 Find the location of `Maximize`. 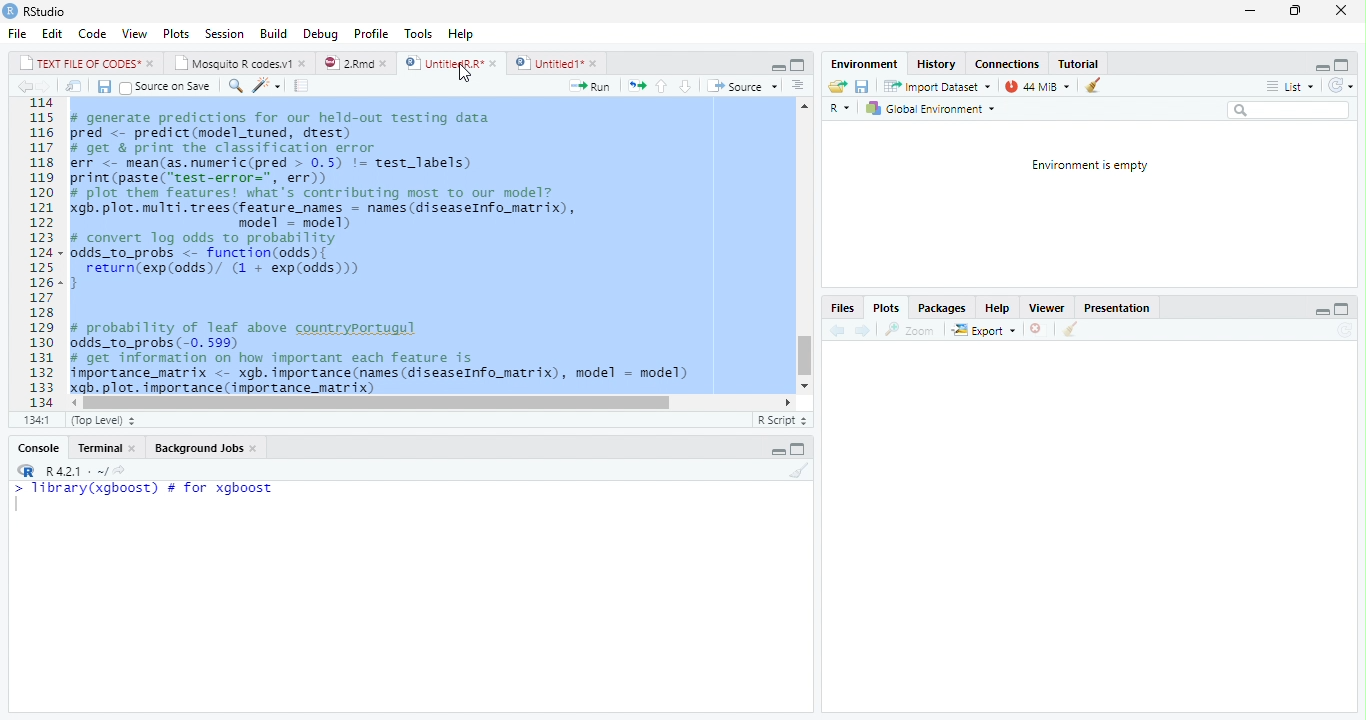

Maximize is located at coordinates (801, 447).